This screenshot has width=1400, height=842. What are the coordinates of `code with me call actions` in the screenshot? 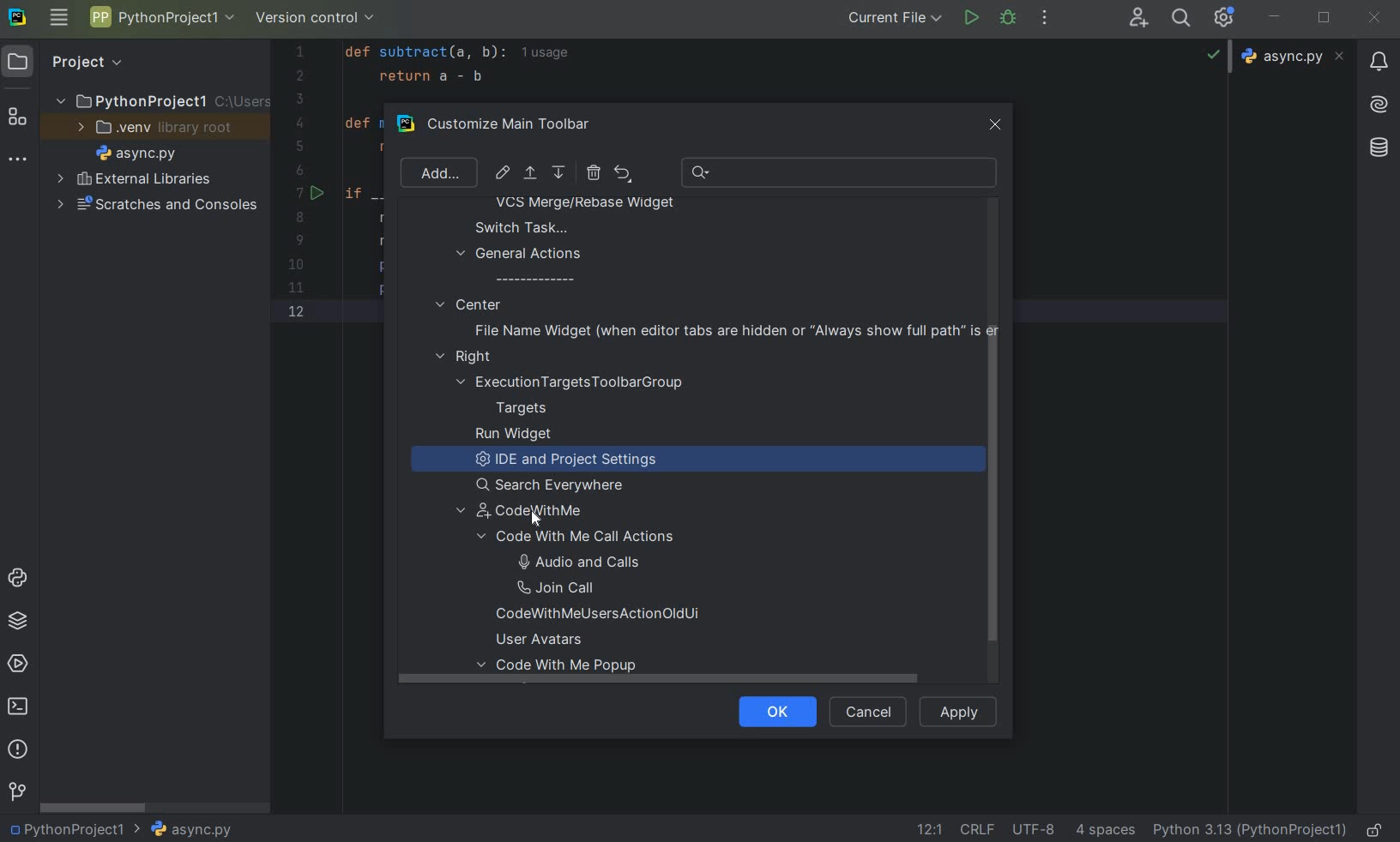 It's located at (594, 537).